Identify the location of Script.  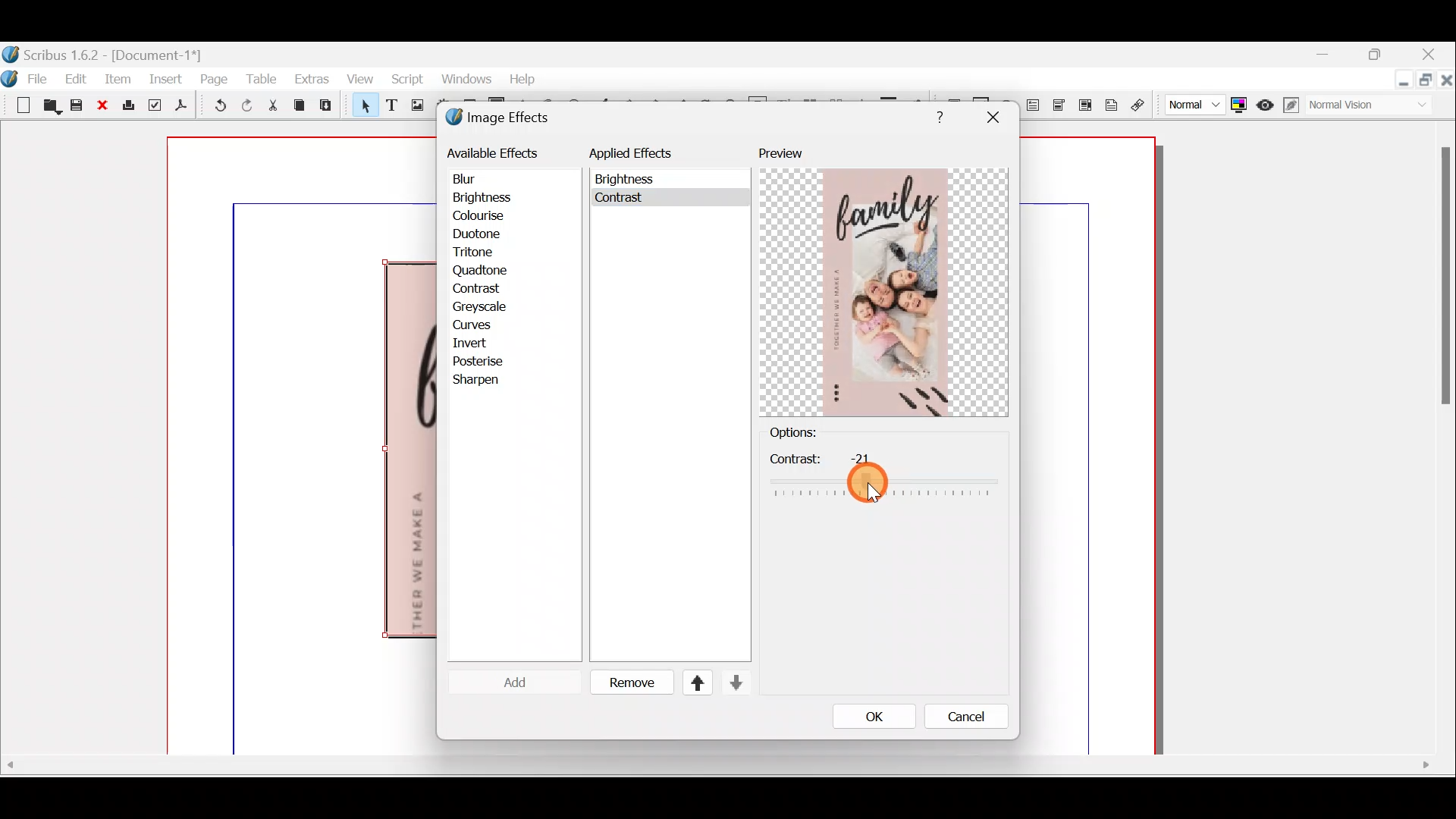
(406, 81).